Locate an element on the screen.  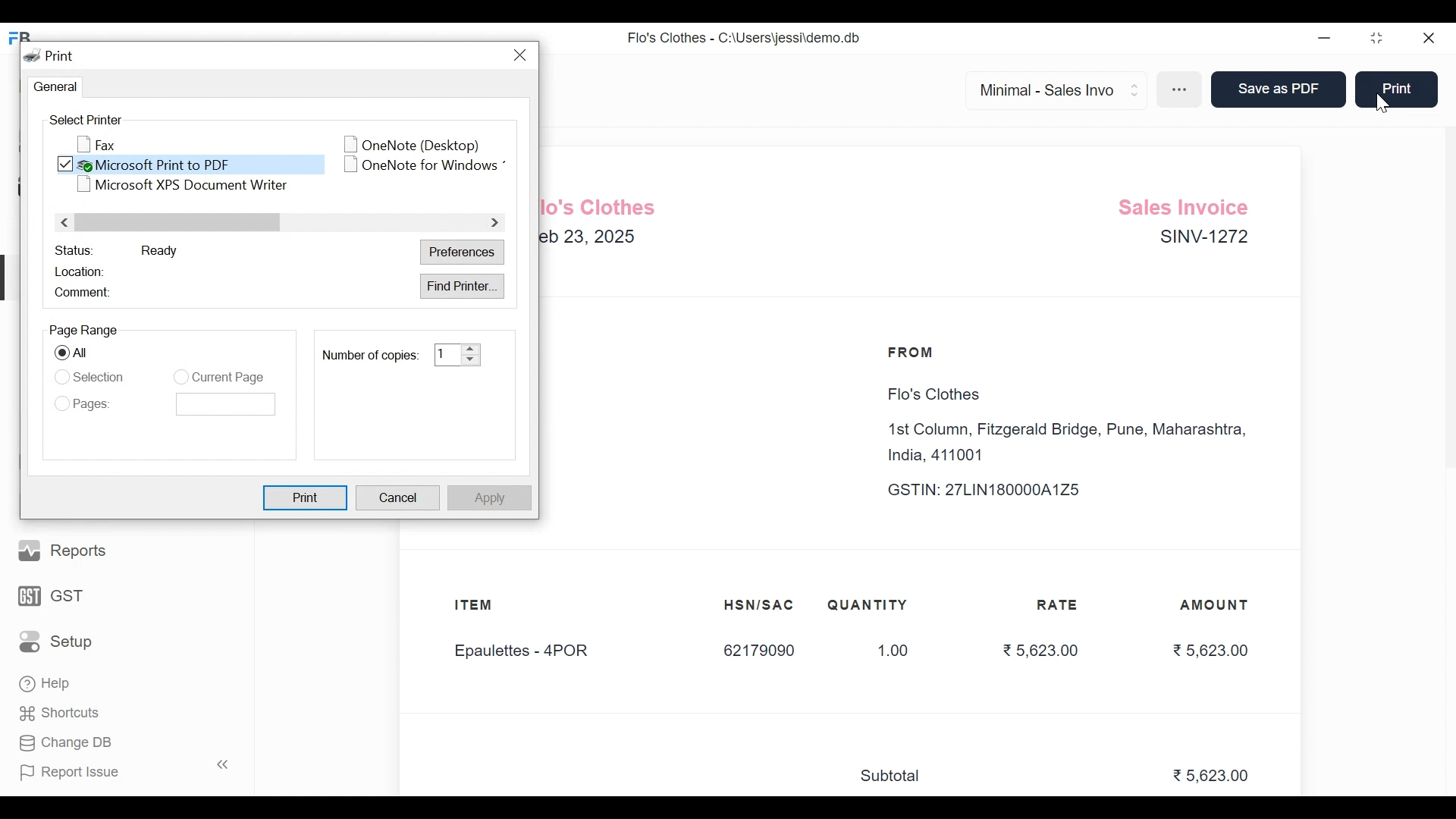
Print is located at coordinates (51, 55).